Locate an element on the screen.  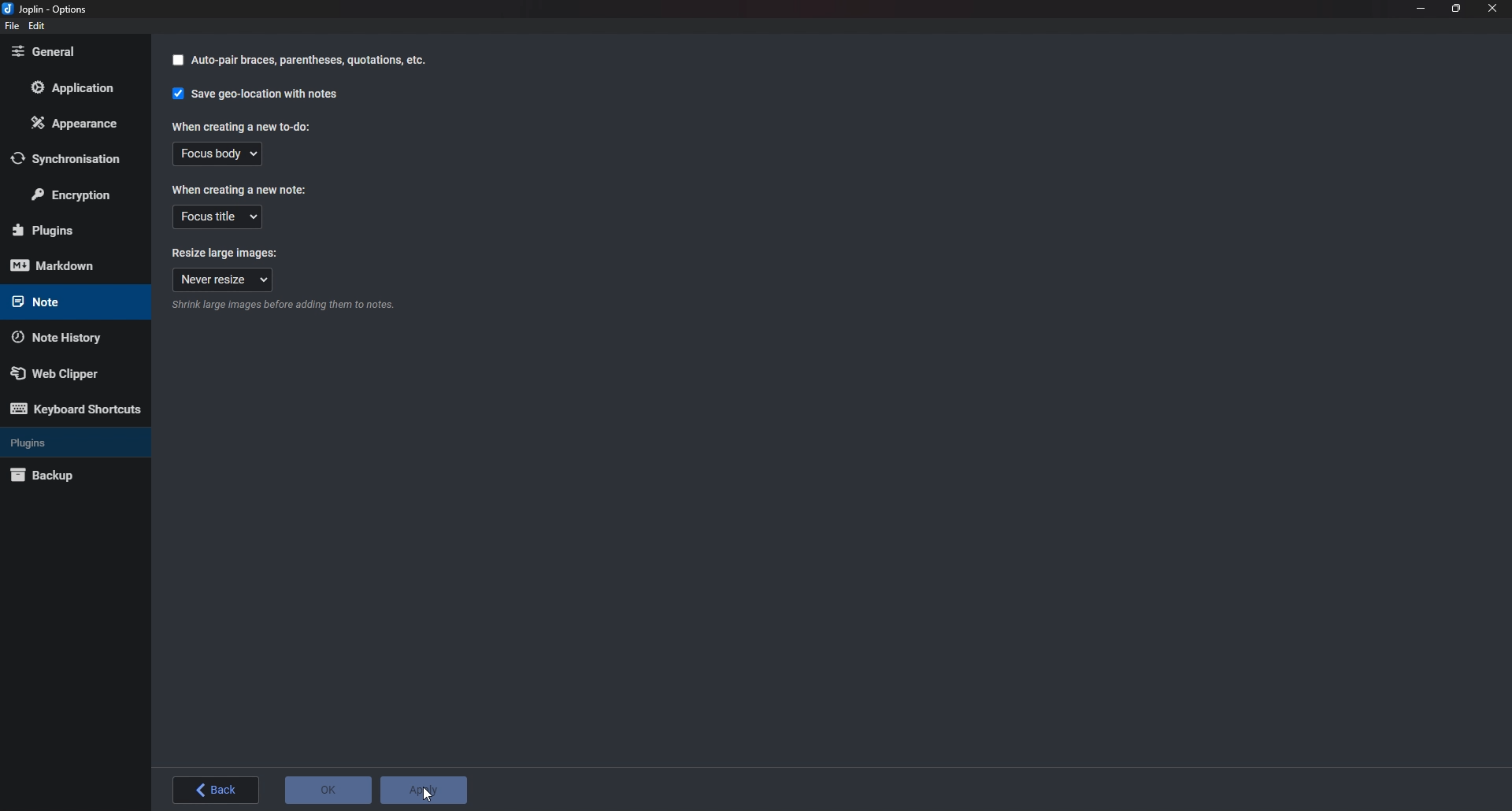
ok is located at coordinates (328, 791).